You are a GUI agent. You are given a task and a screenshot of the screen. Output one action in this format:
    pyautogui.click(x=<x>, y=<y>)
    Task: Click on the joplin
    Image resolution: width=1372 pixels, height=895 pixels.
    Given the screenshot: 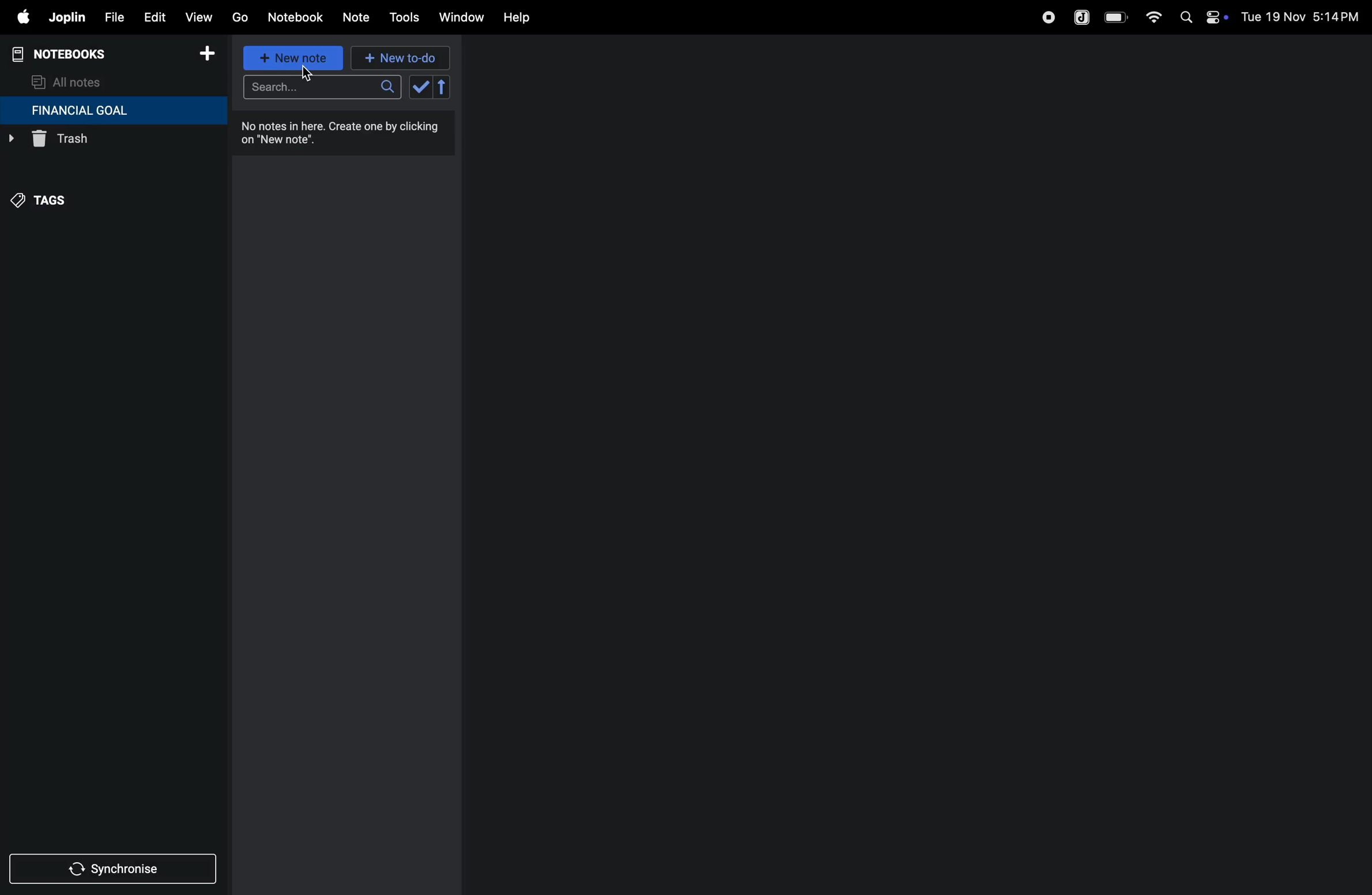 What is the action you would take?
    pyautogui.click(x=1083, y=16)
    